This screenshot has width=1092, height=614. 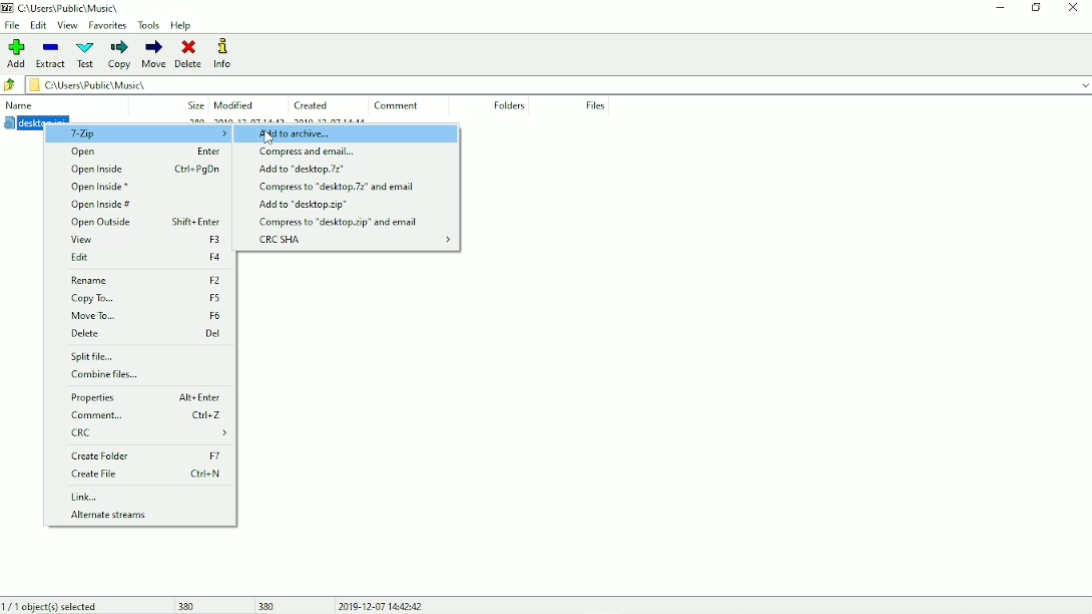 What do you see at coordinates (145, 281) in the screenshot?
I see `Rename` at bounding box center [145, 281].